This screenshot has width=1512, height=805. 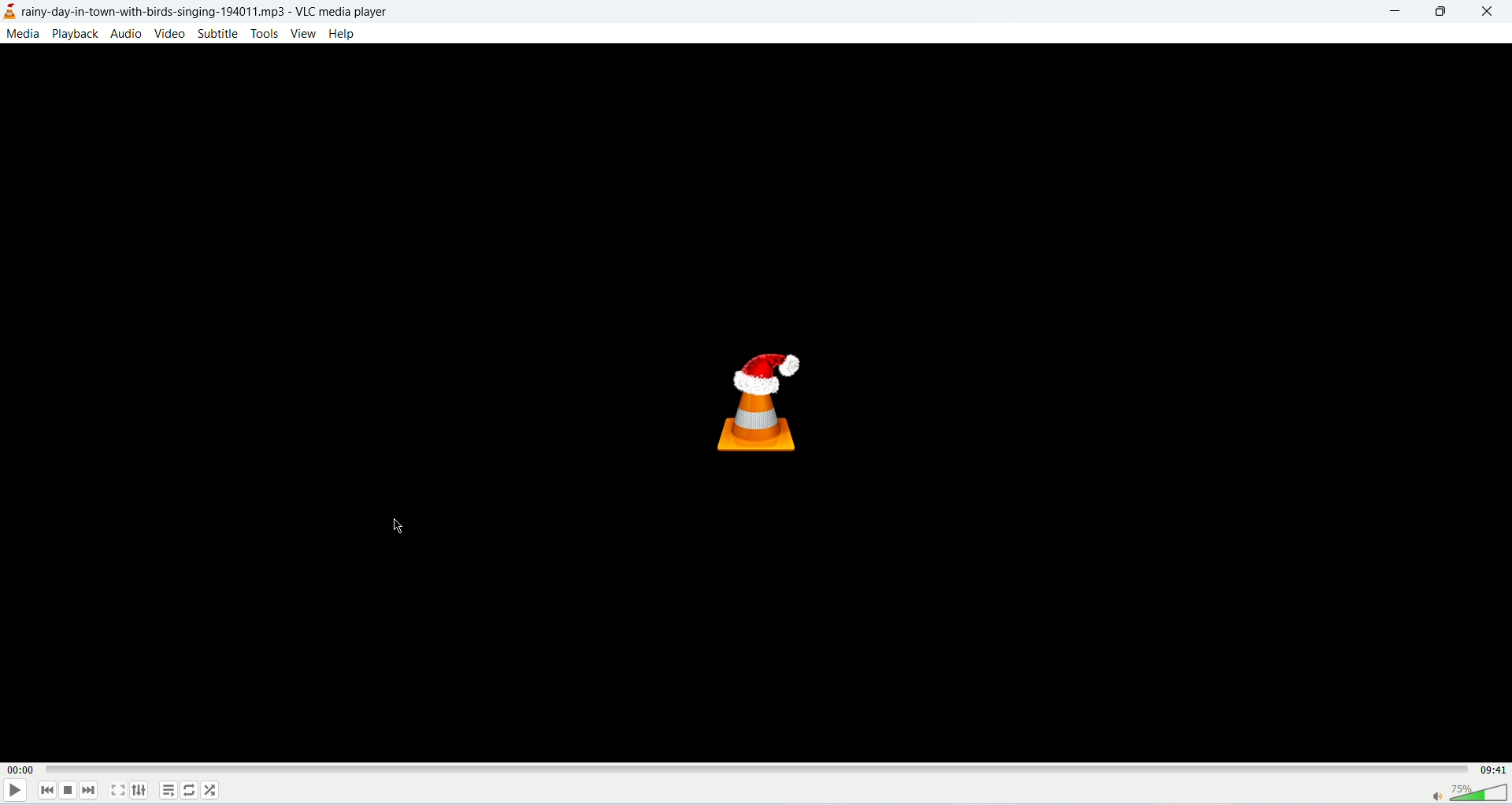 I want to click on view, so click(x=303, y=33).